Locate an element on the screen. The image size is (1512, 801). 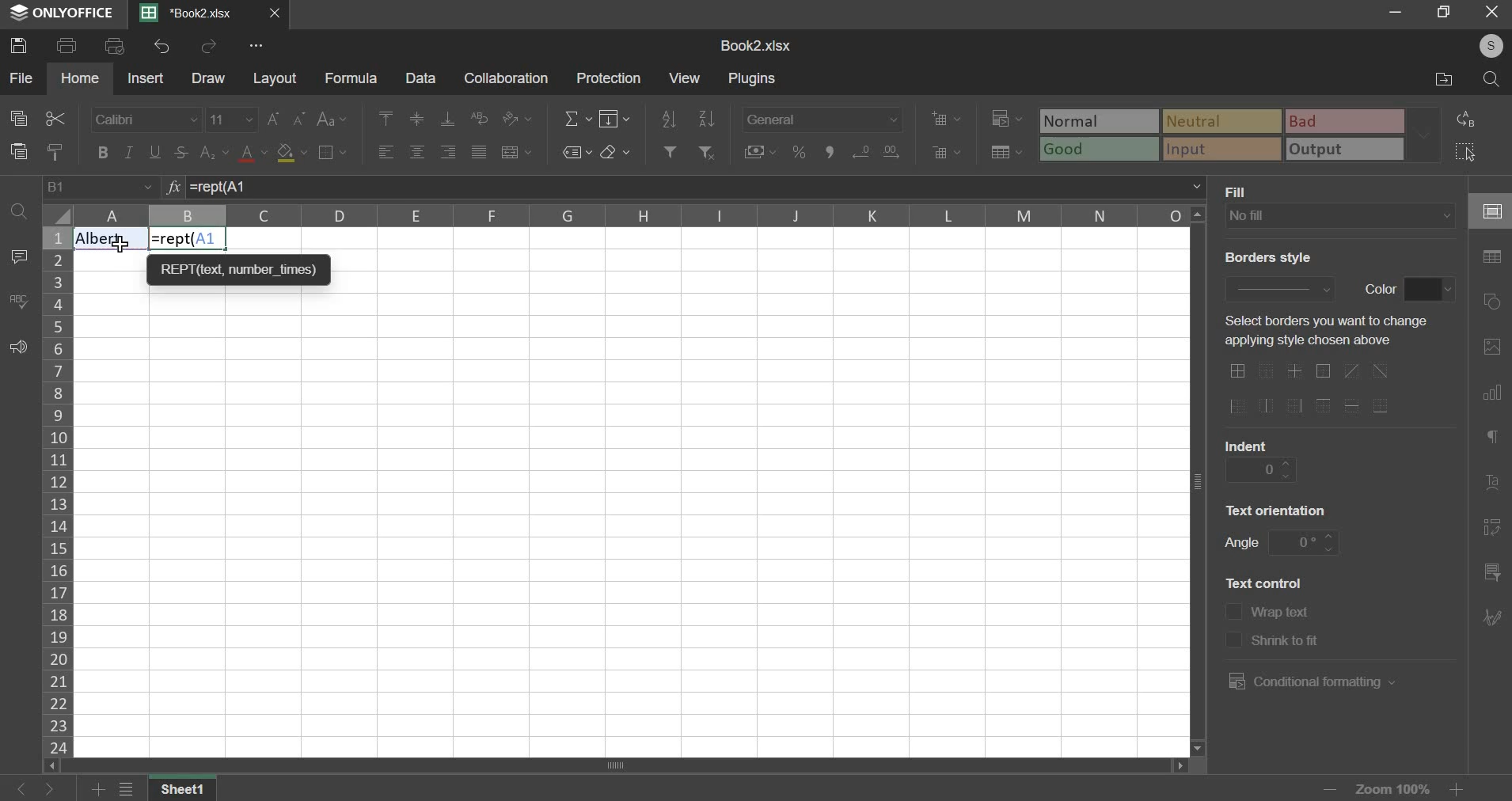
text is located at coordinates (1271, 586).